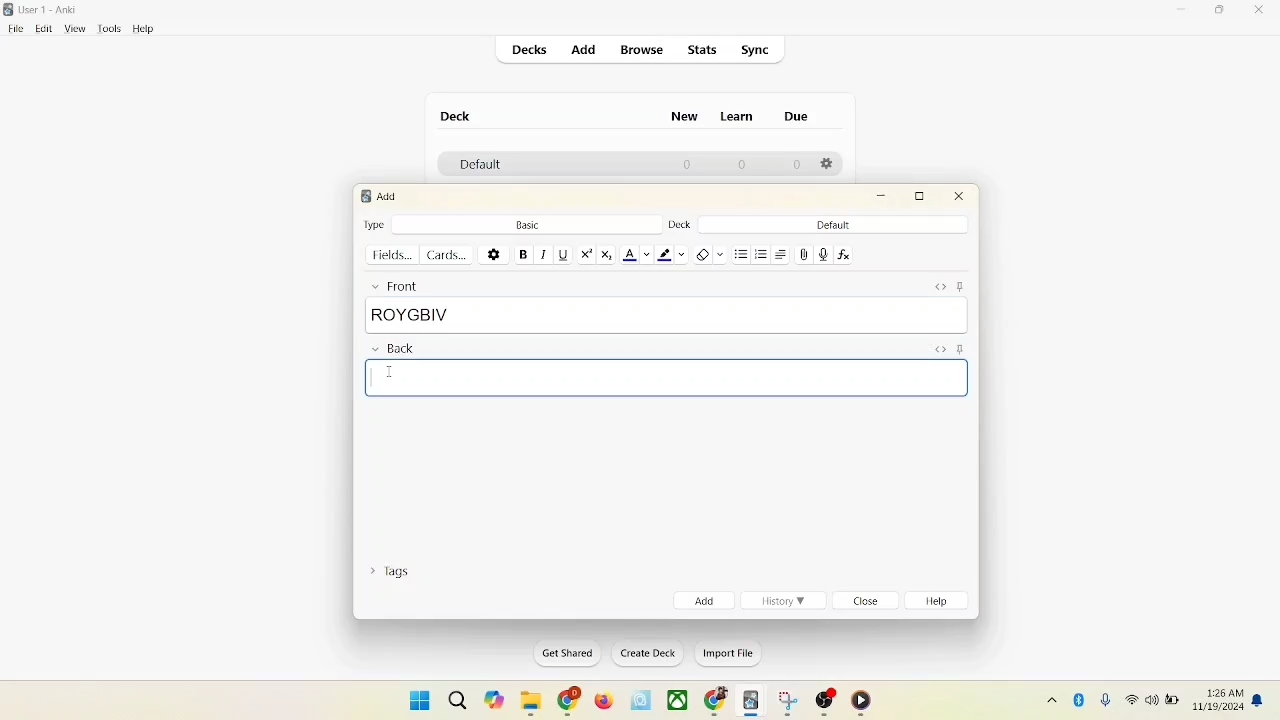 The width and height of the screenshot is (1280, 720). Describe the element at coordinates (451, 255) in the screenshot. I see `cards` at that location.